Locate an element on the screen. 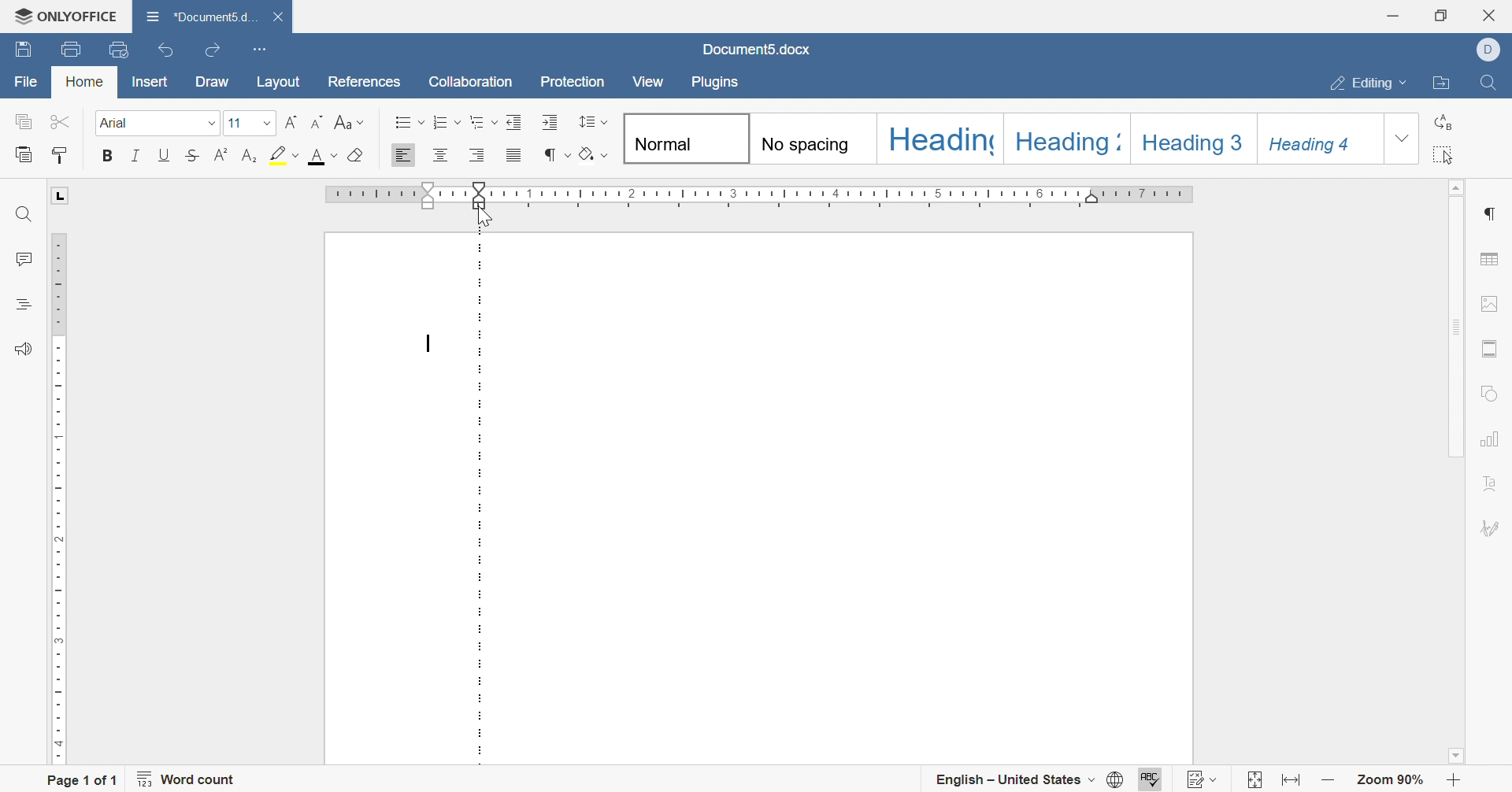 Image resolution: width=1512 pixels, height=792 pixels. Text Input is located at coordinates (431, 345).